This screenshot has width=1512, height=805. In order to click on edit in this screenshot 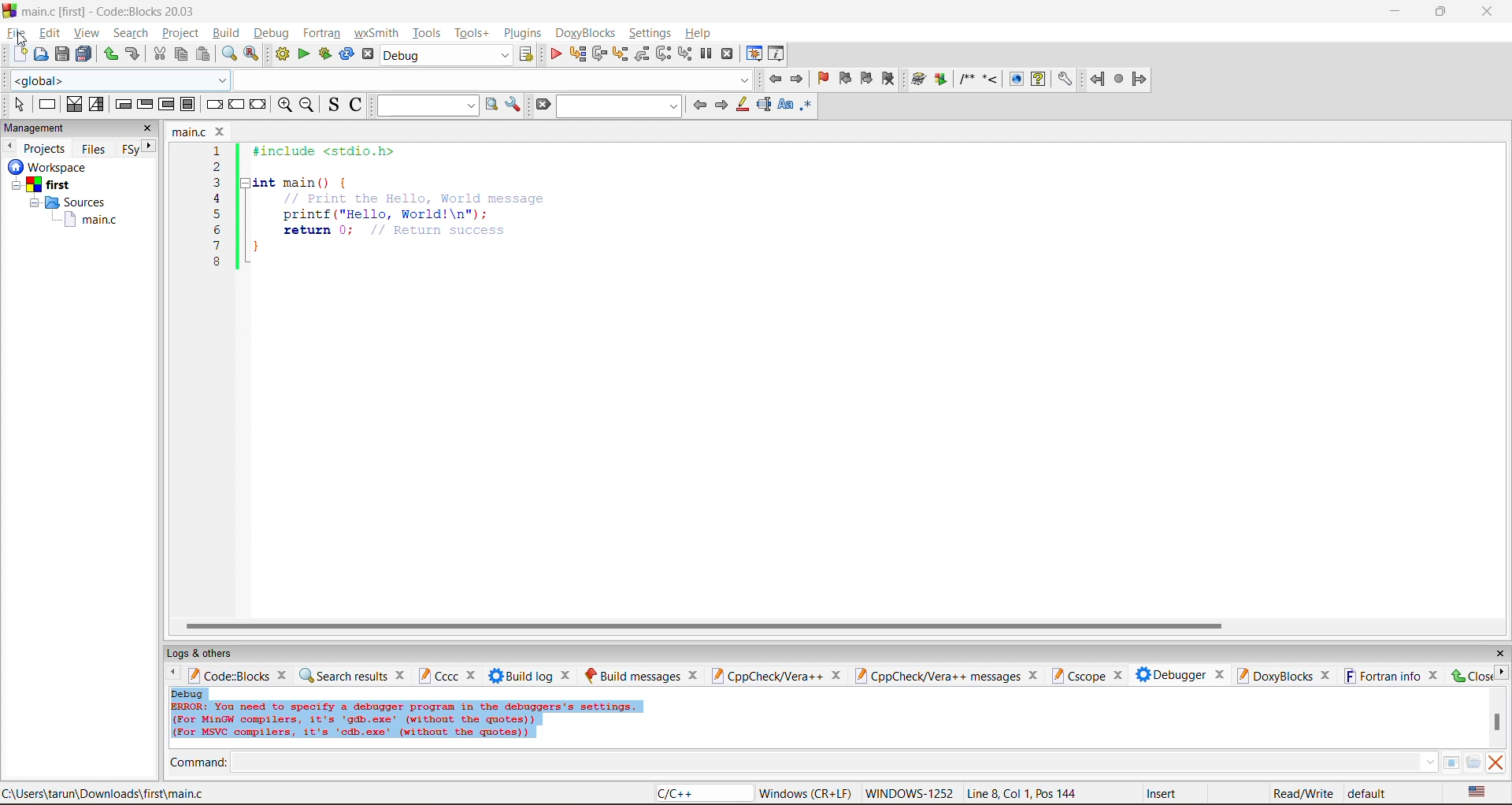, I will do `click(52, 33)`.